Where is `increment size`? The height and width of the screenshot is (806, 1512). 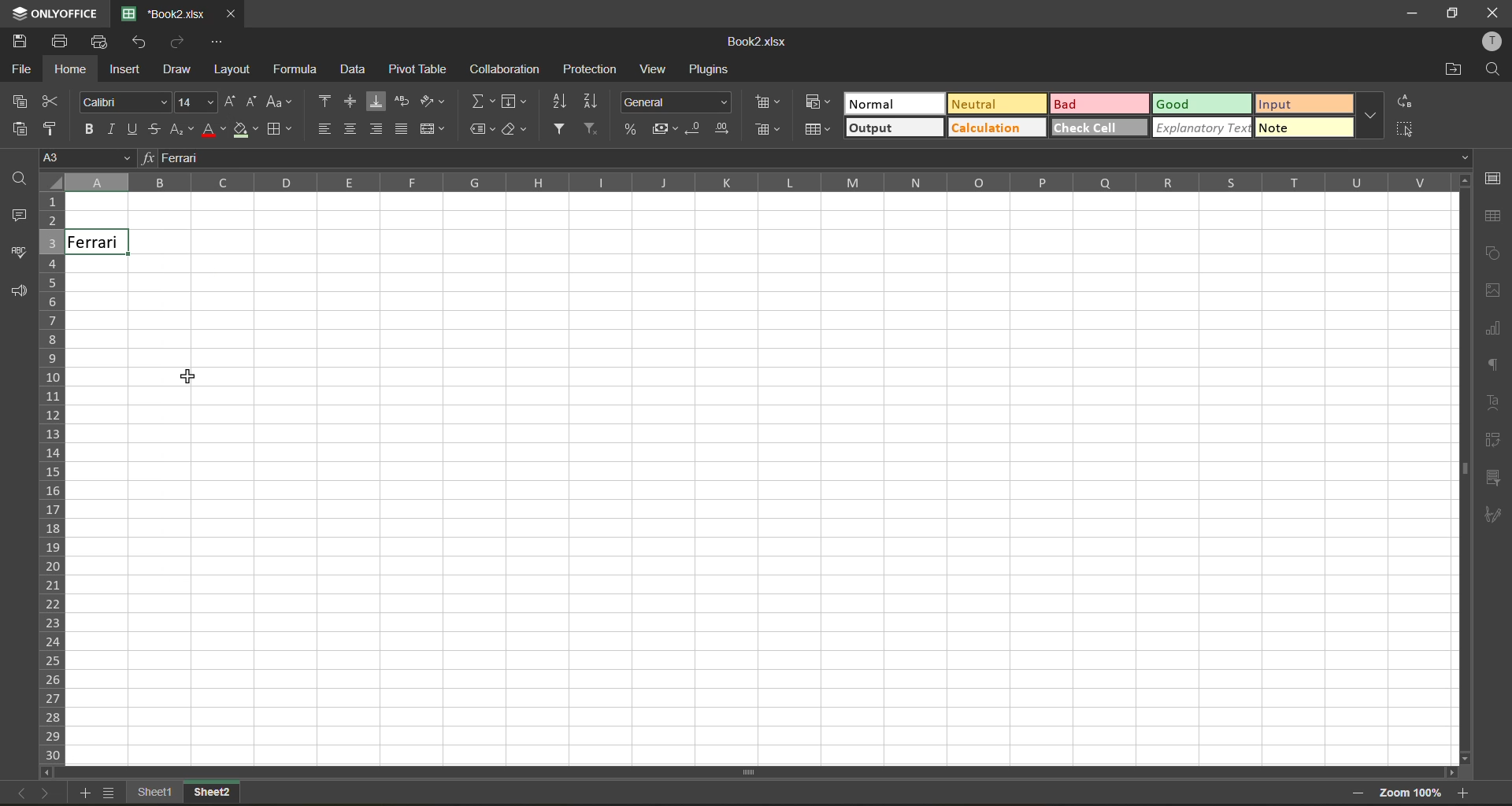
increment size is located at coordinates (228, 102).